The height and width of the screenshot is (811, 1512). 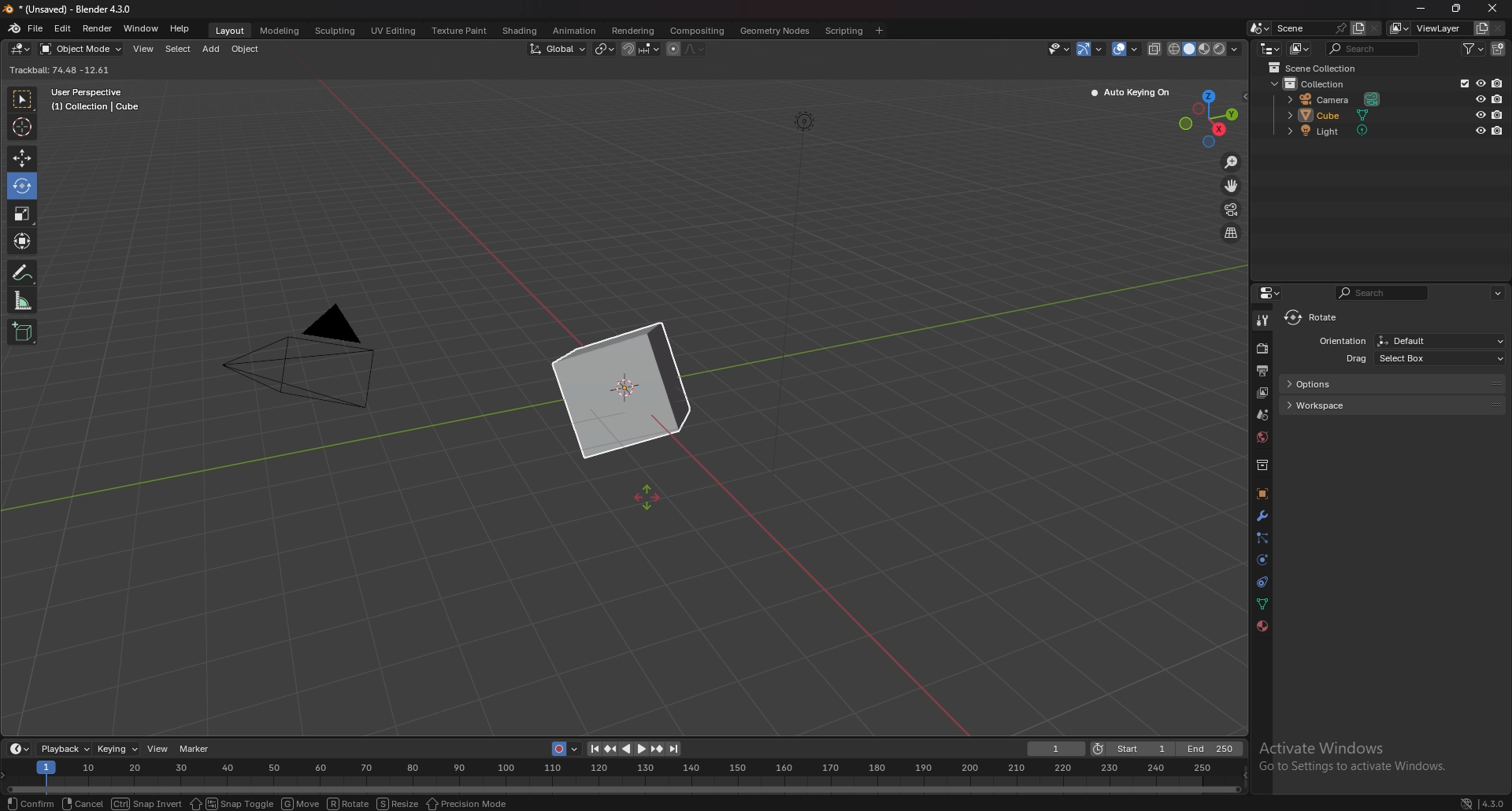 I want to click on collection, so click(x=1262, y=465).